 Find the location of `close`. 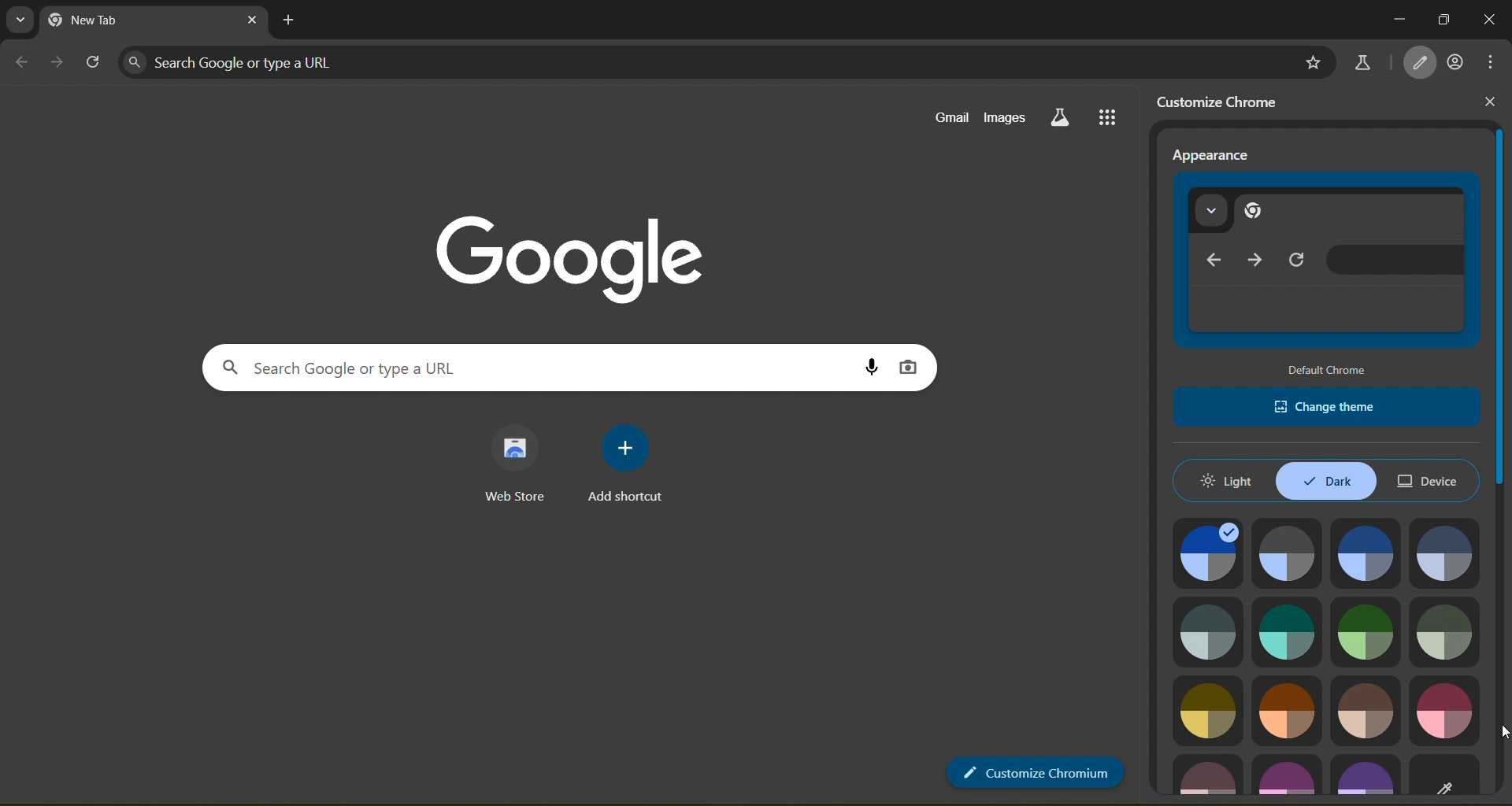

close is located at coordinates (1490, 102).